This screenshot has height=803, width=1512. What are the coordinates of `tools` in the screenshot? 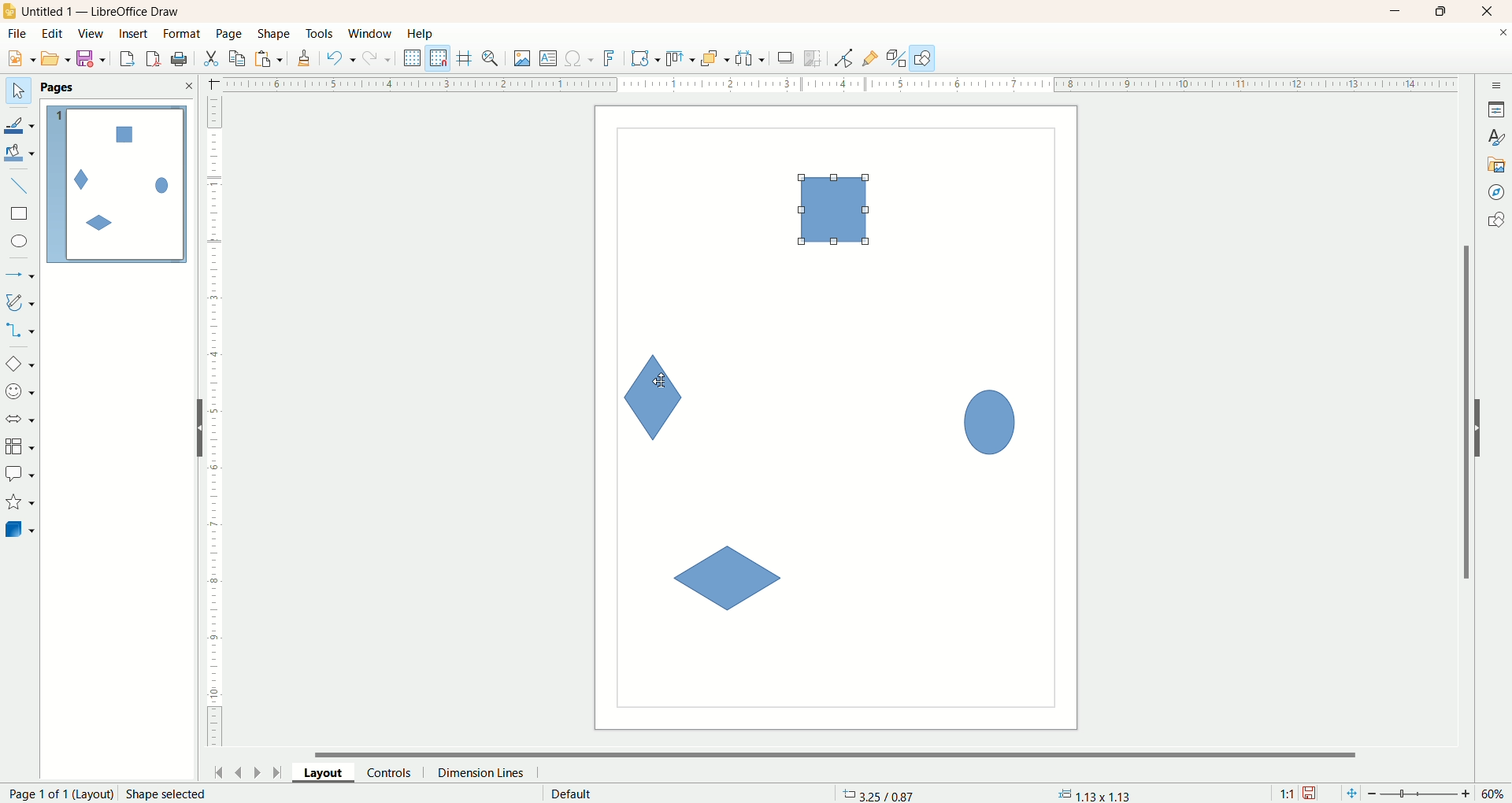 It's located at (321, 35).